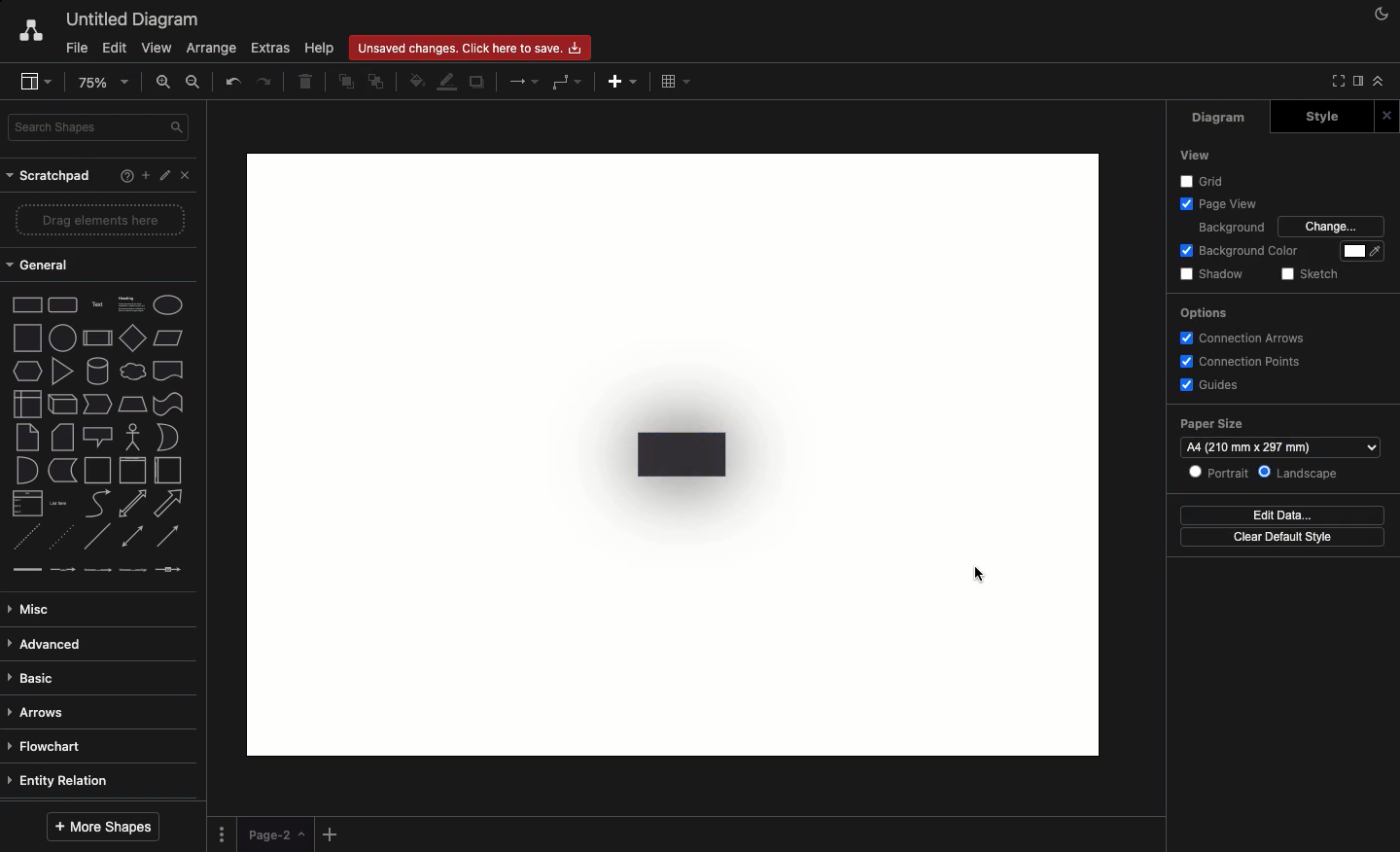 The width and height of the screenshot is (1400, 852). What do you see at coordinates (63, 569) in the screenshot?
I see `connector with label` at bounding box center [63, 569].